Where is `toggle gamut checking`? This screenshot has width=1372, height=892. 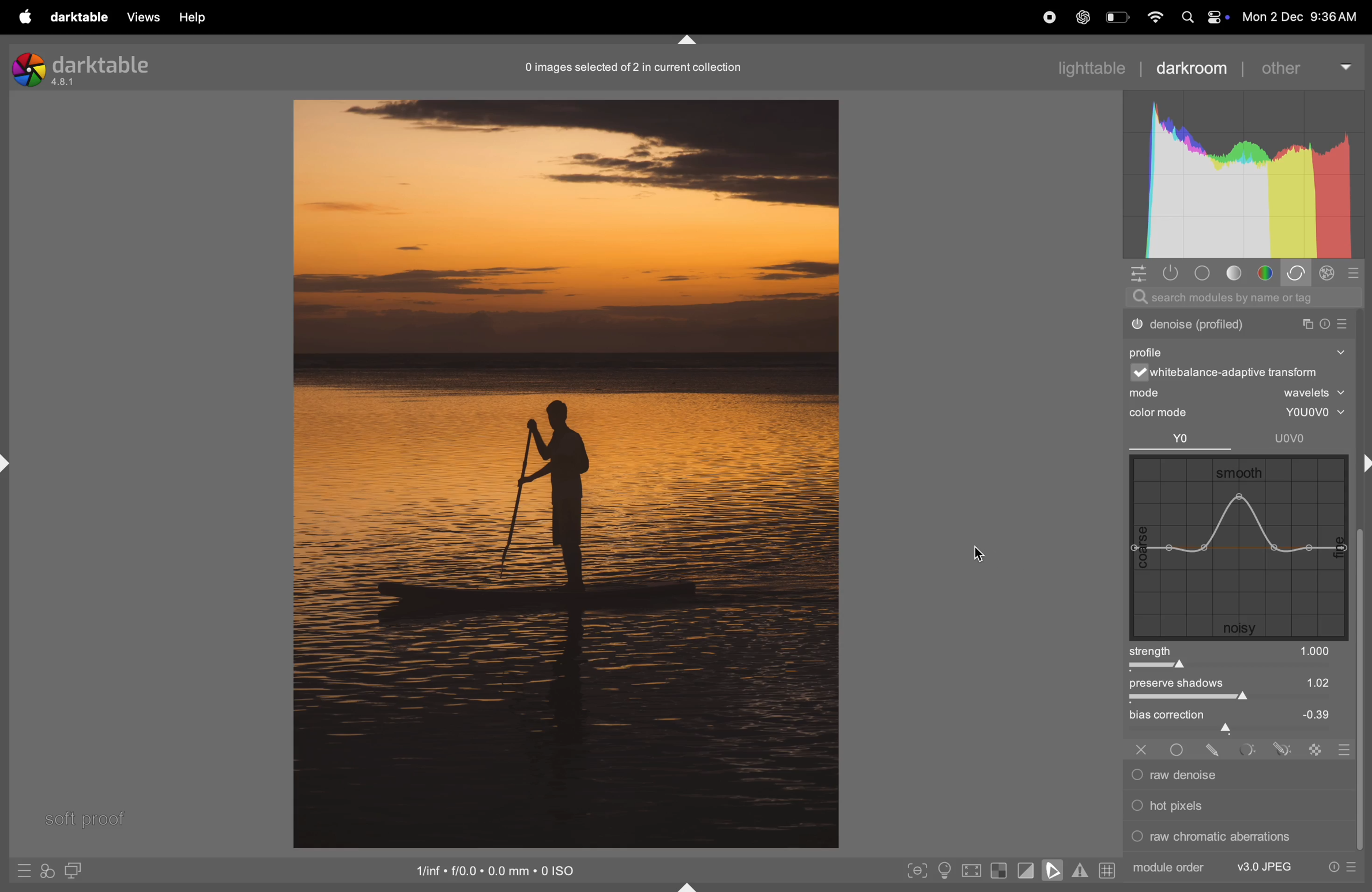
toggle gamut checking is located at coordinates (1079, 872).